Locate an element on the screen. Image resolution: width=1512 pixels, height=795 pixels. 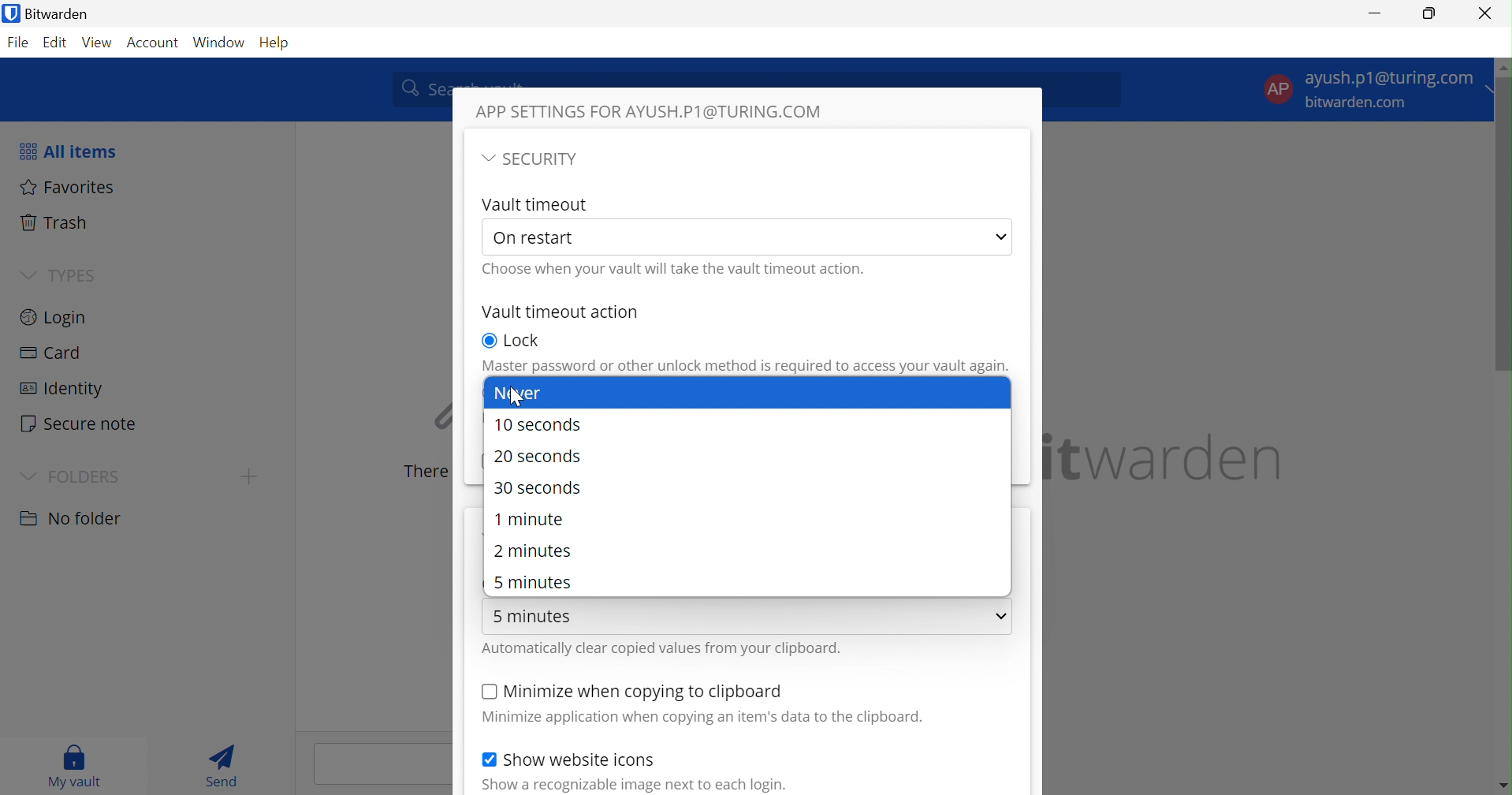
Login is located at coordinates (58, 318).